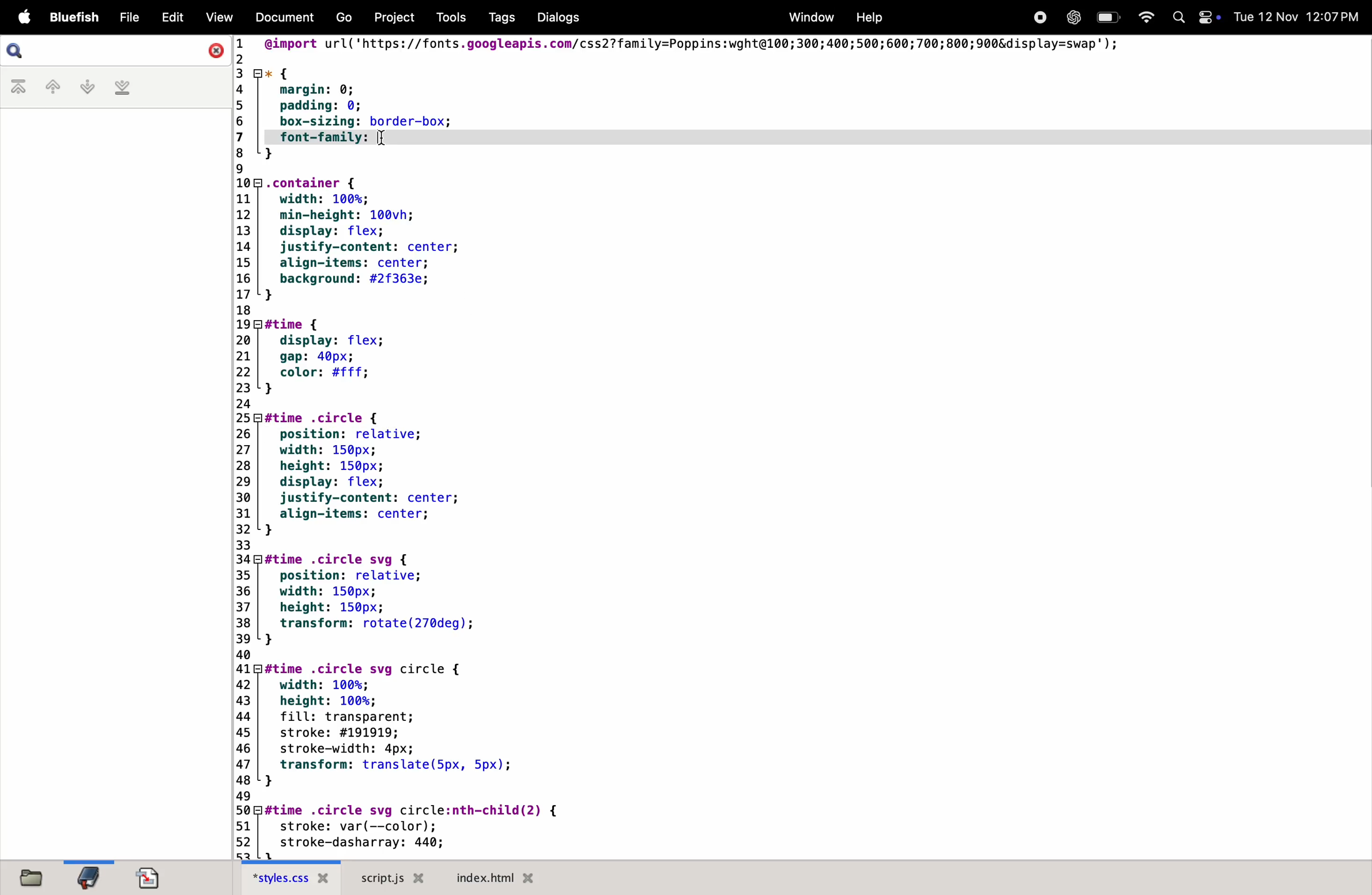 Image resolution: width=1372 pixels, height=895 pixels. I want to click on last bookmark, so click(122, 89).